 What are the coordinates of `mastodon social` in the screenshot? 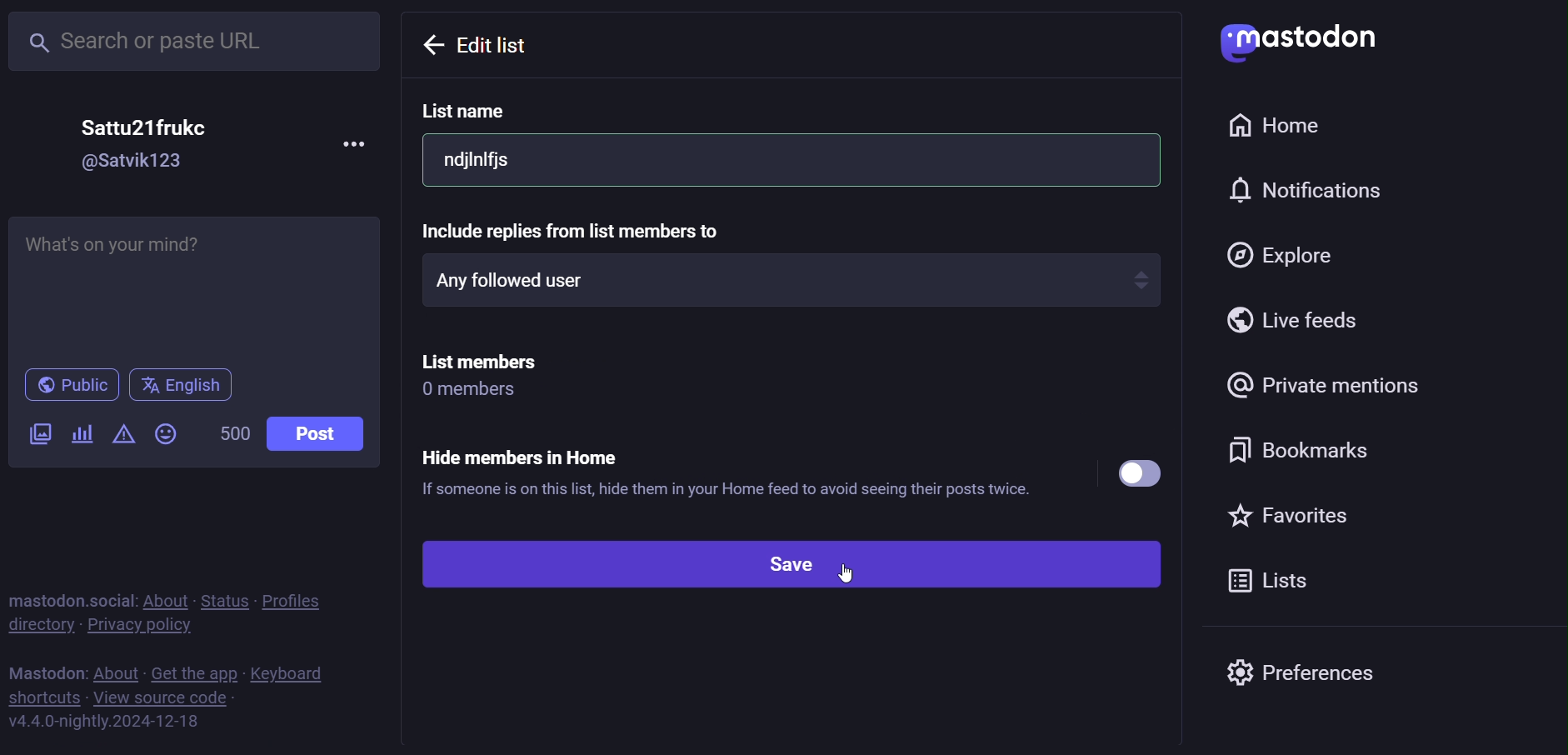 It's located at (71, 597).